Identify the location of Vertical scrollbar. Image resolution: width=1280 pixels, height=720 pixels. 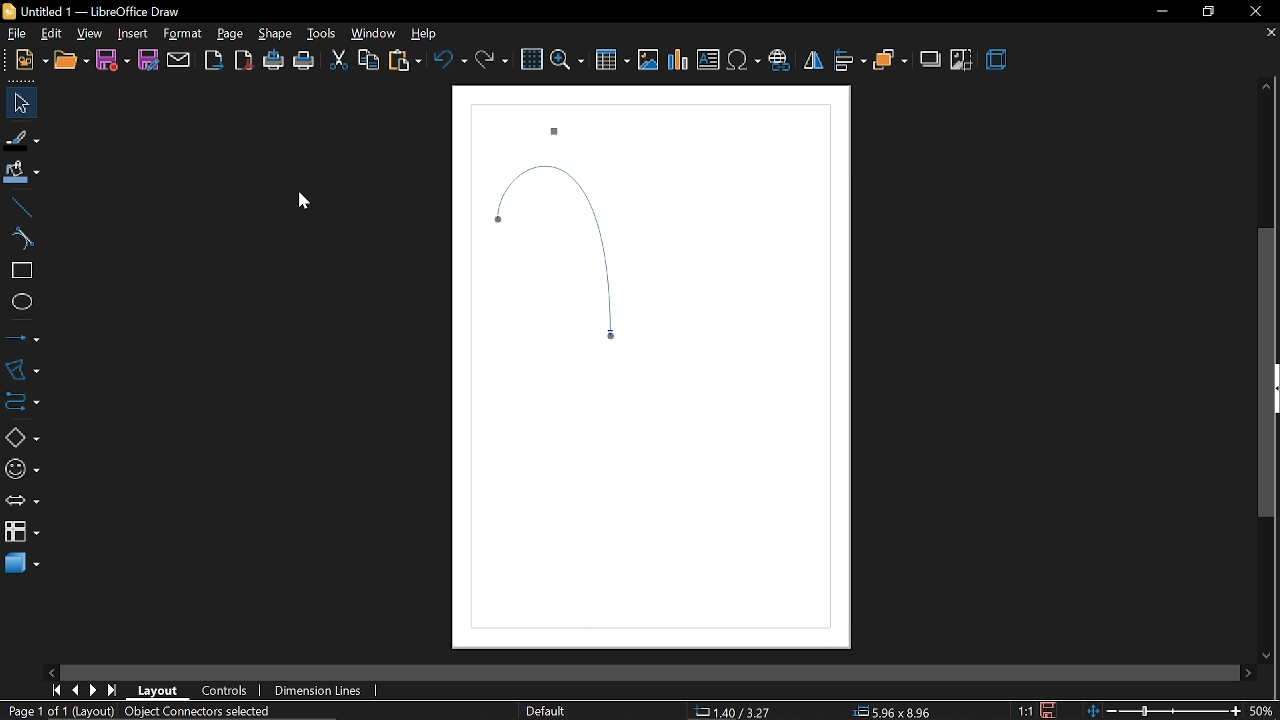
(1267, 374).